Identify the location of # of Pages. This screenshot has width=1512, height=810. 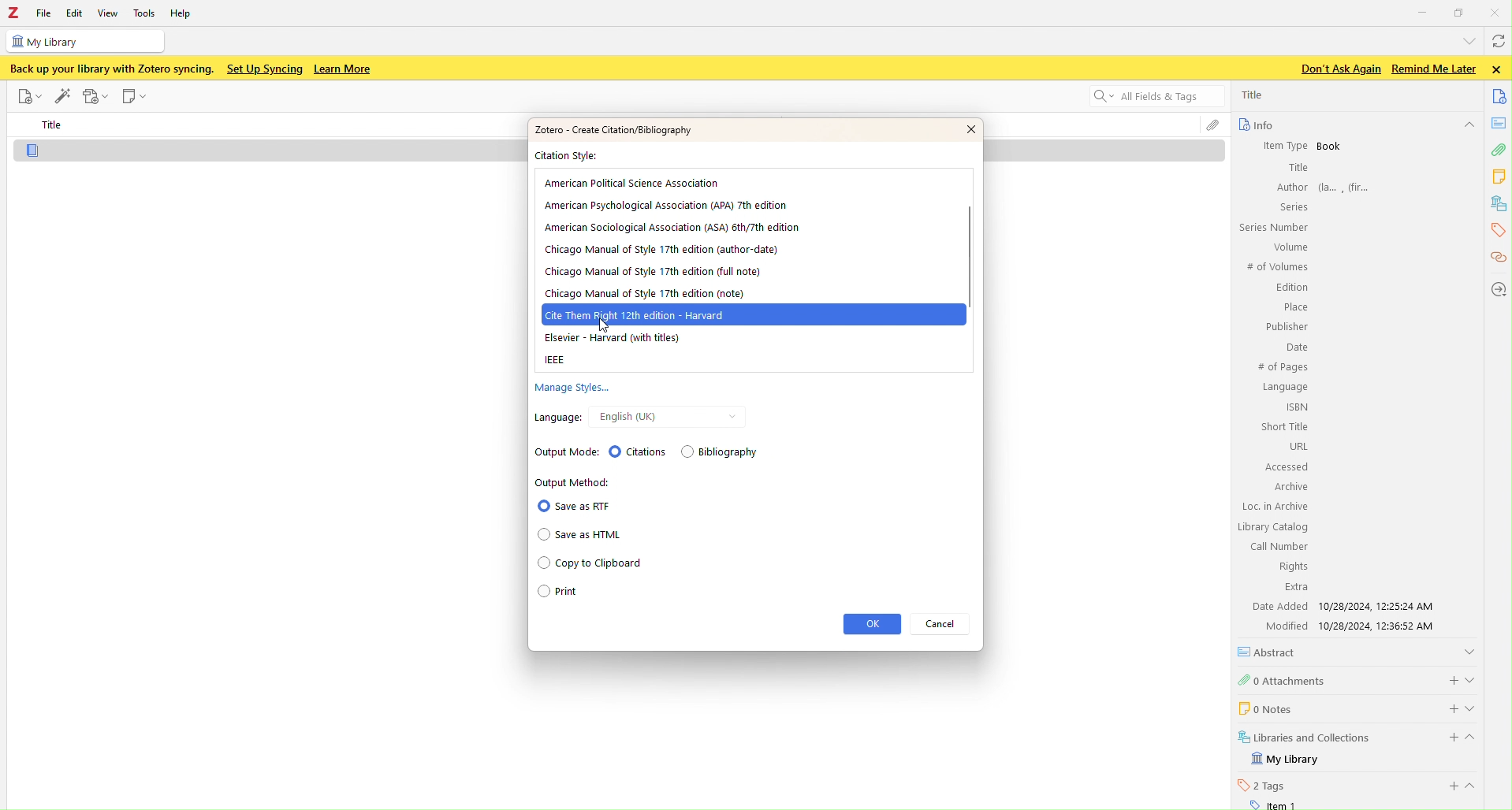
(1282, 368).